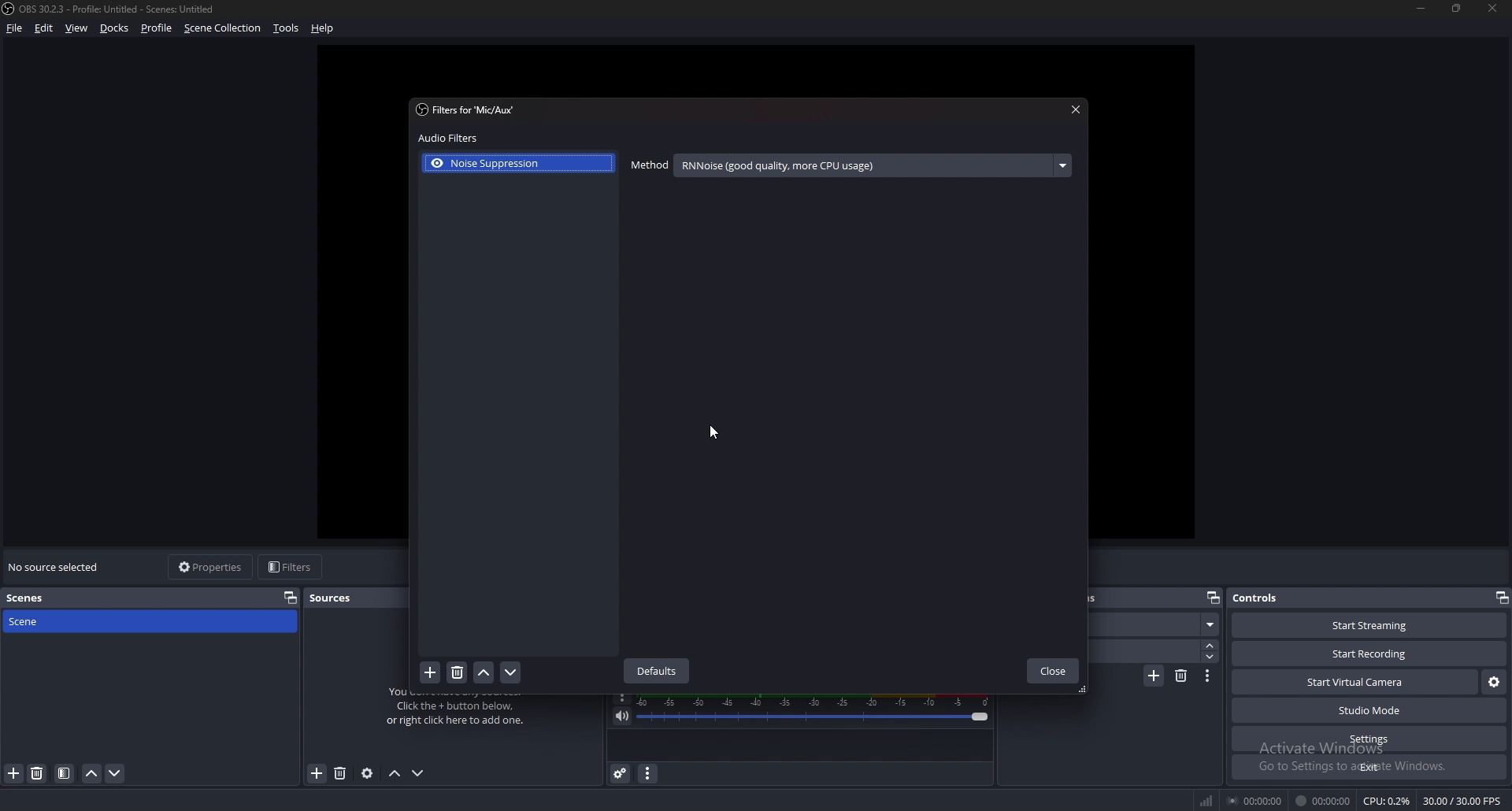 This screenshot has width=1512, height=811. I want to click on close, so click(1495, 9).